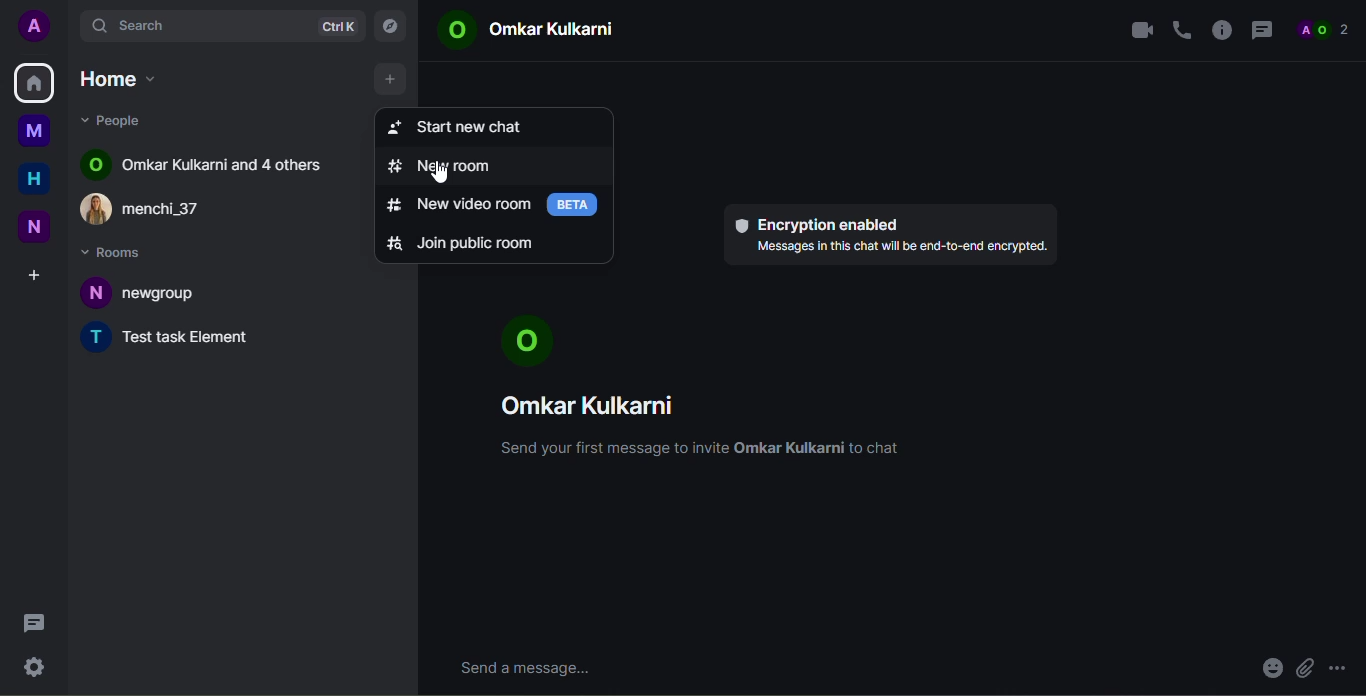 This screenshot has width=1366, height=696. I want to click on profile, so click(37, 25).